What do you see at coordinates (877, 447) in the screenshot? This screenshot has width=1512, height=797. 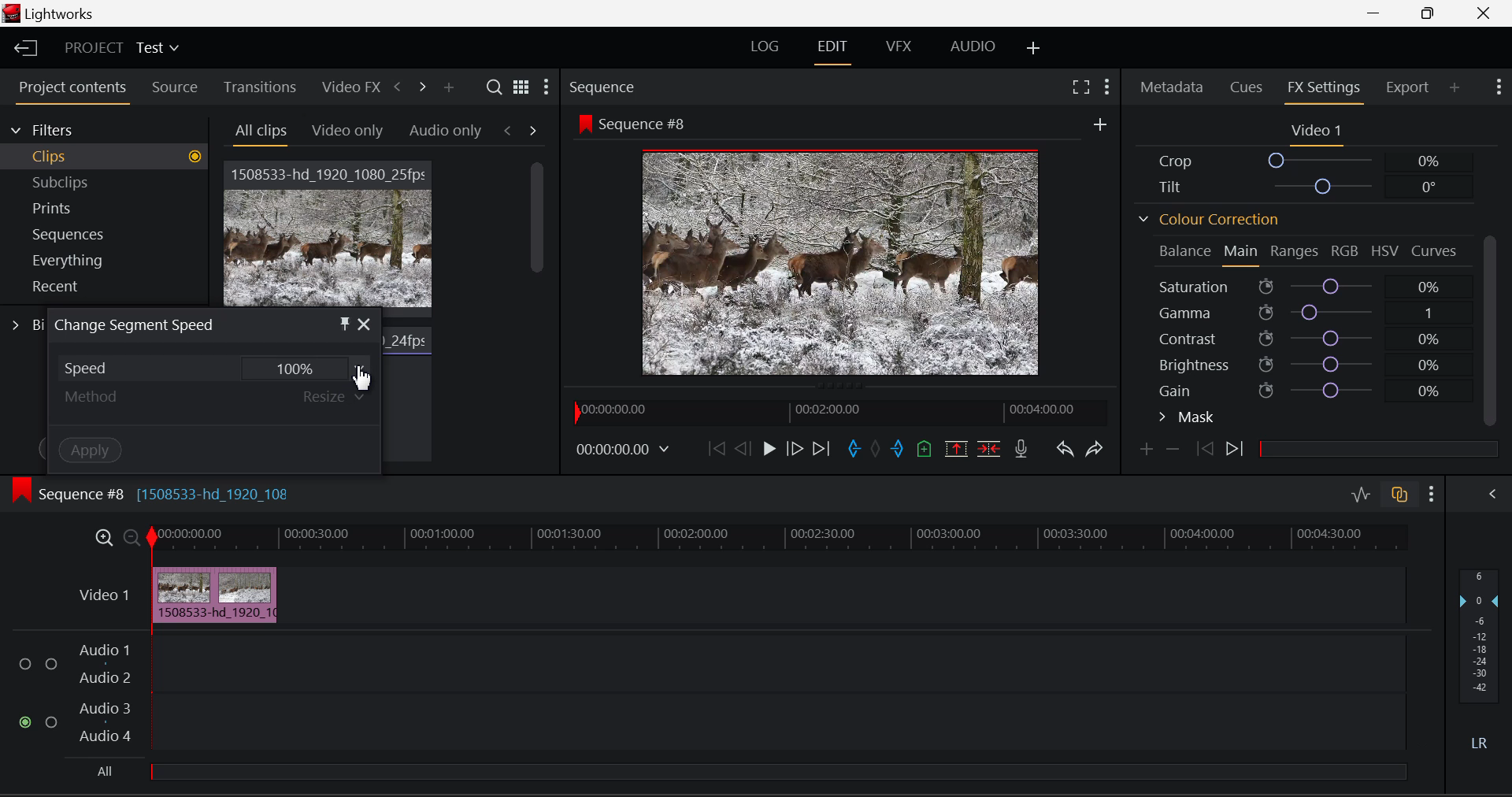 I see `Remove All Marks` at bounding box center [877, 447].